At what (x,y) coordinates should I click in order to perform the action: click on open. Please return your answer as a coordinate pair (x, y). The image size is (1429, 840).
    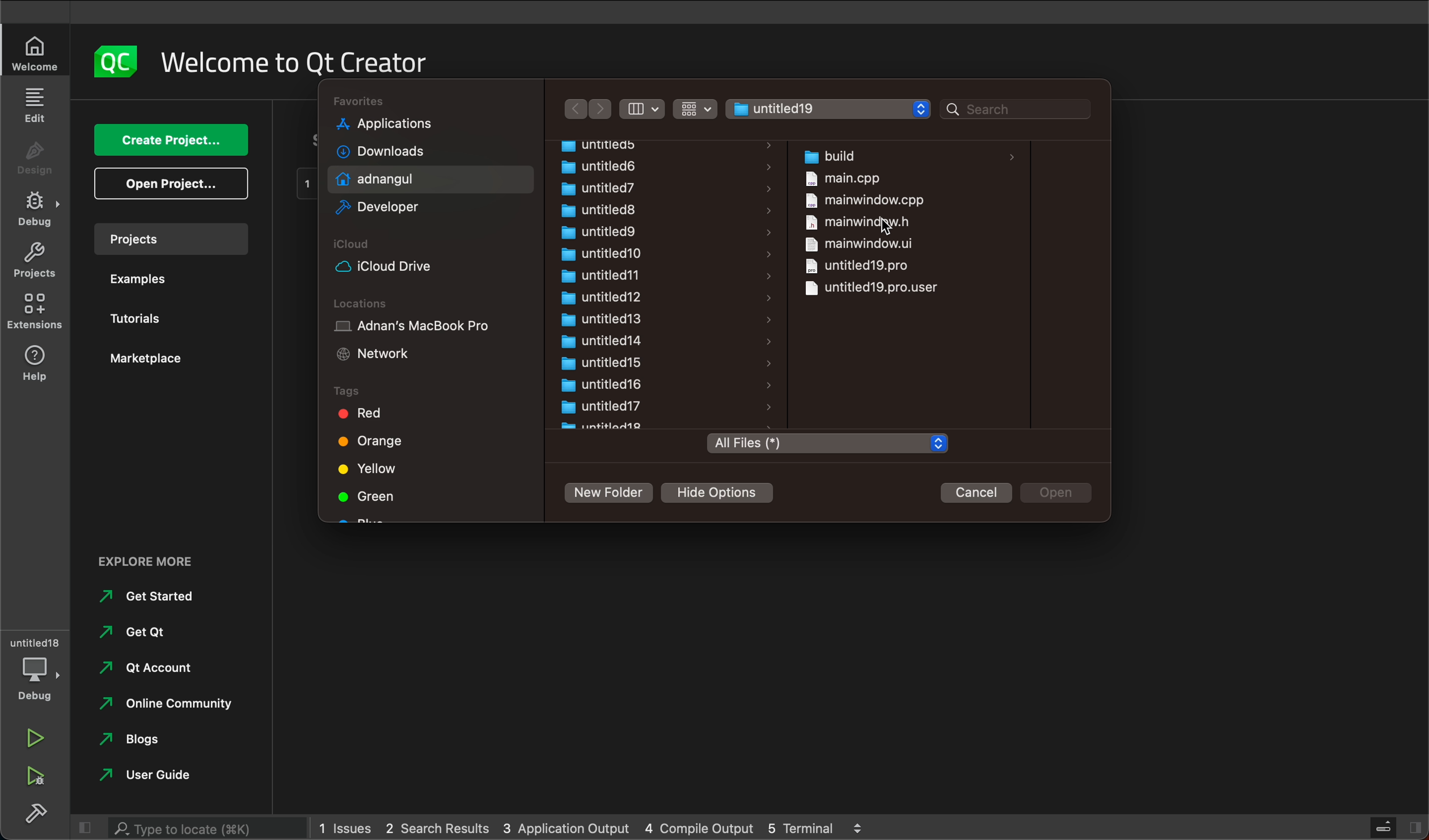
    Looking at the image, I should click on (162, 185).